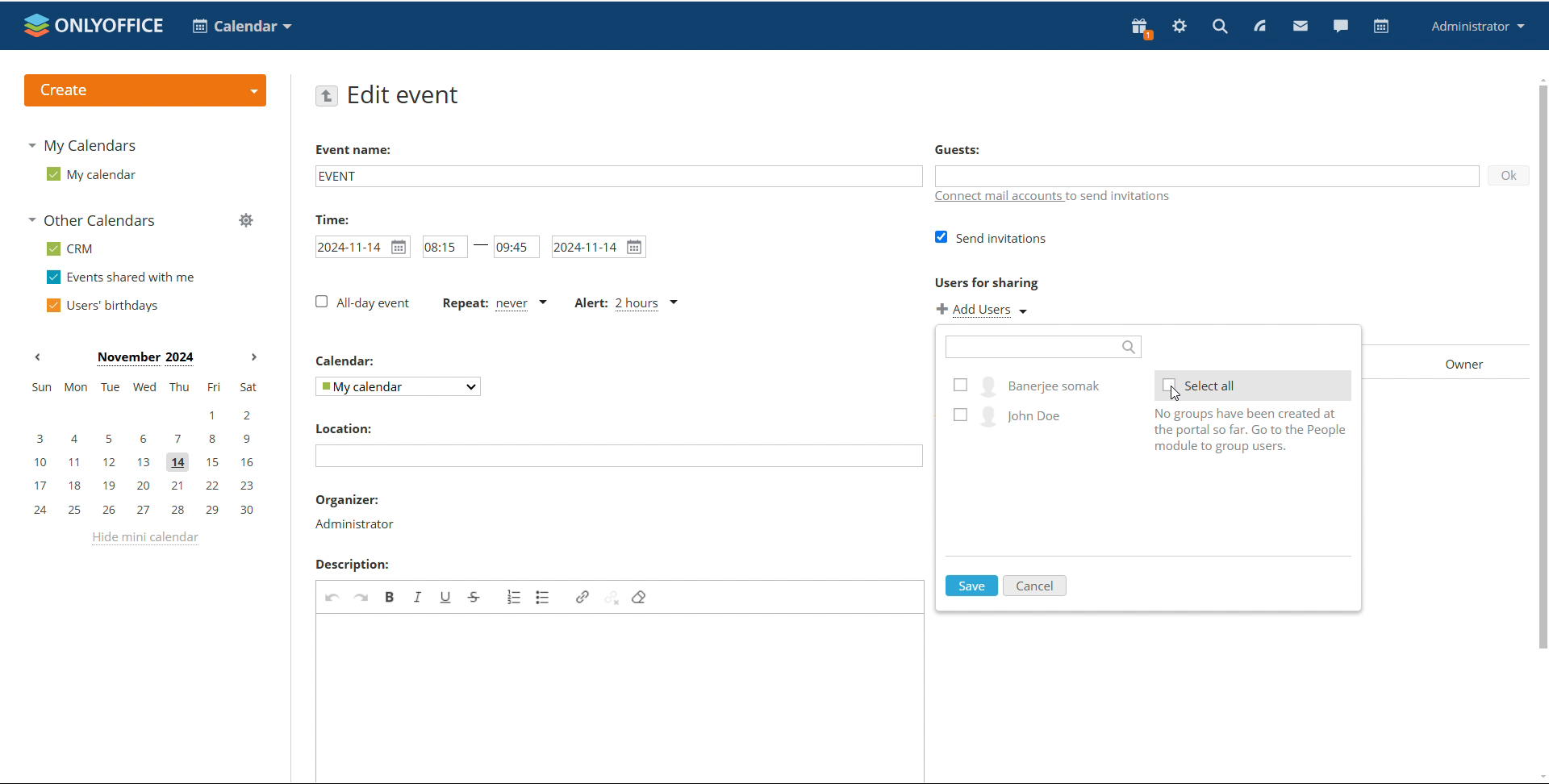  Describe the element at coordinates (144, 386) in the screenshot. I see `mon, tue, wed, thu, fri, sat, sun` at that location.